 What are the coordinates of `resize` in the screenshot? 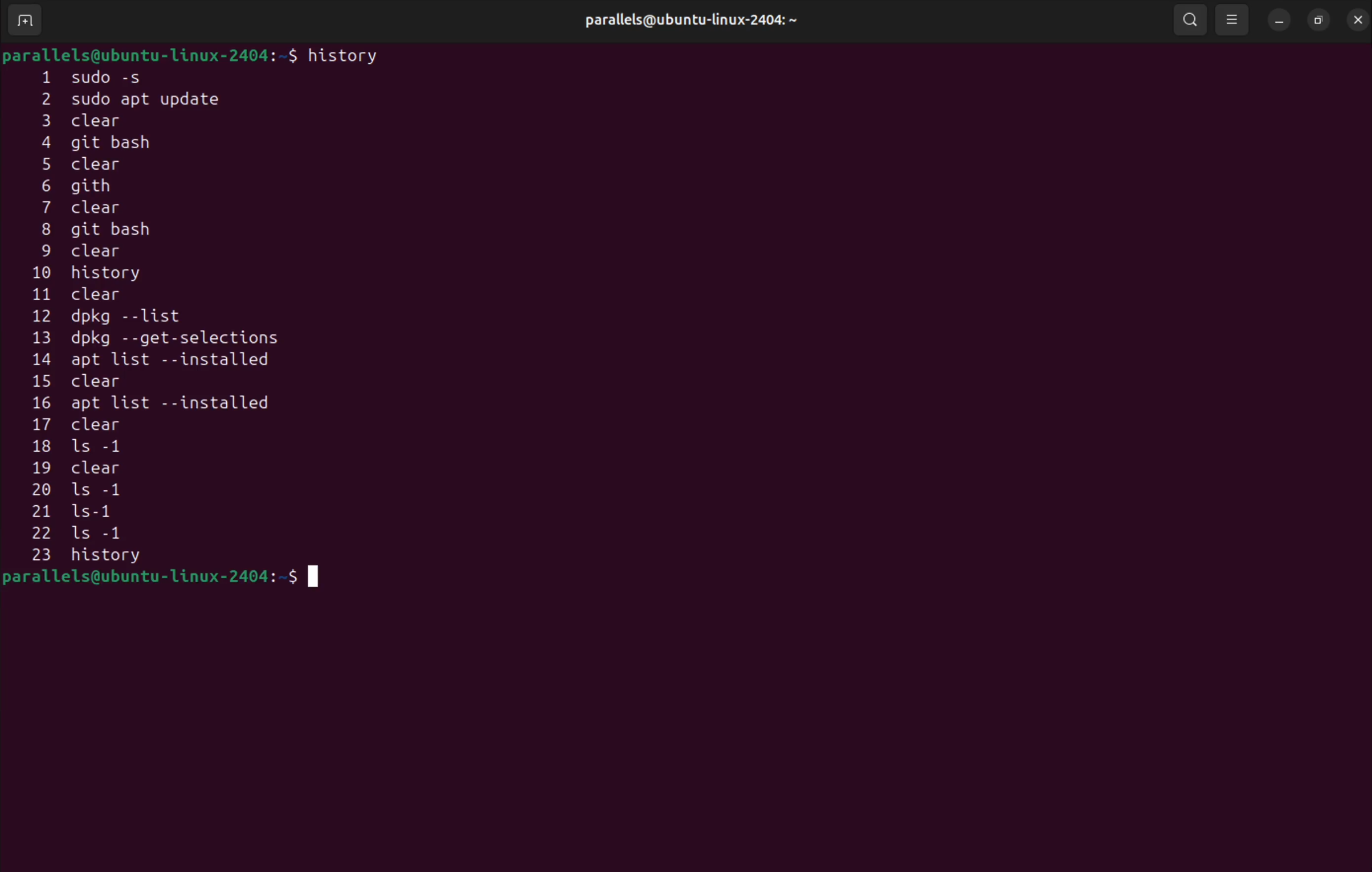 It's located at (1318, 18).